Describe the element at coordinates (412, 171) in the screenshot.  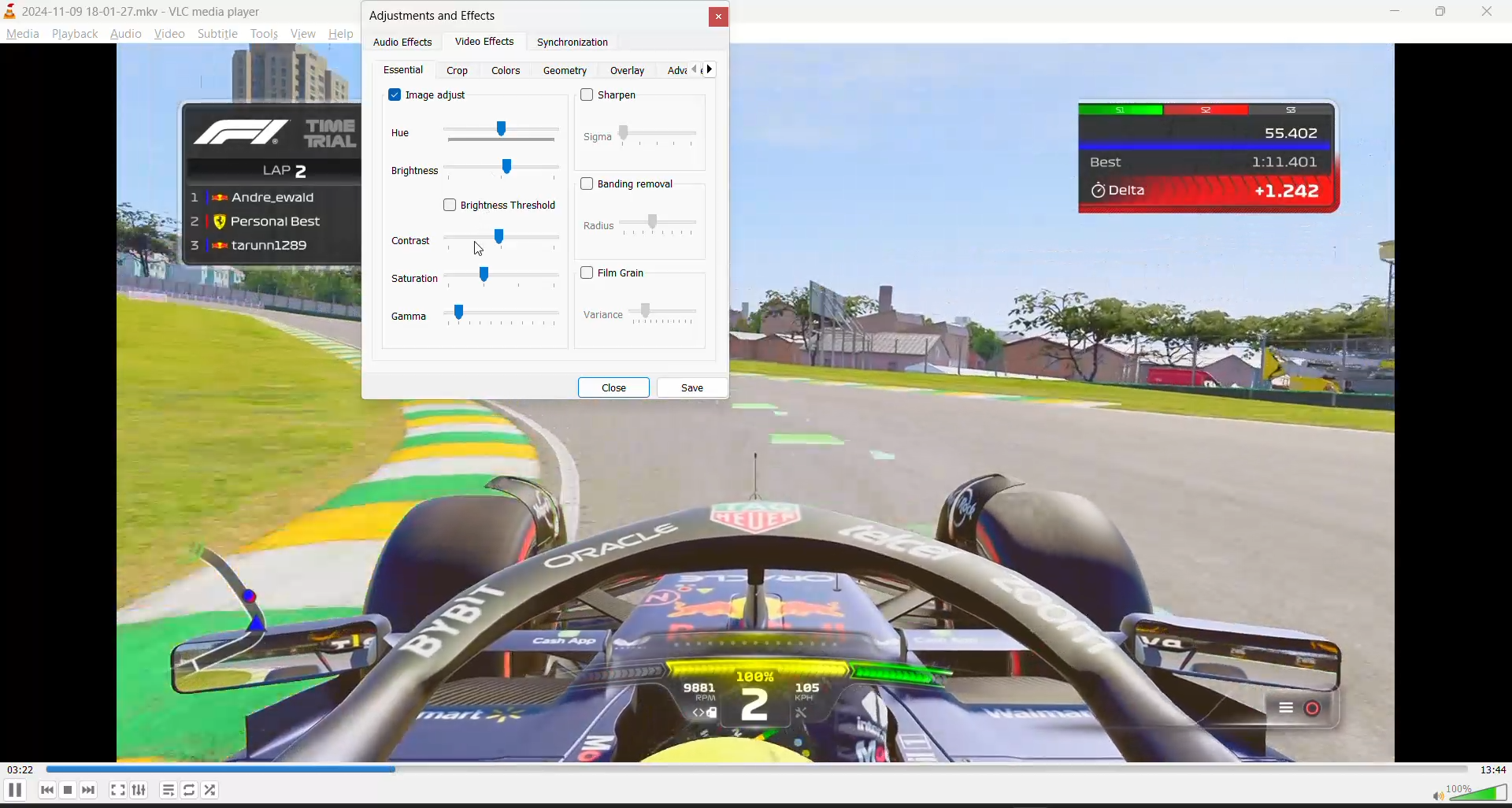
I see `brightness` at that location.